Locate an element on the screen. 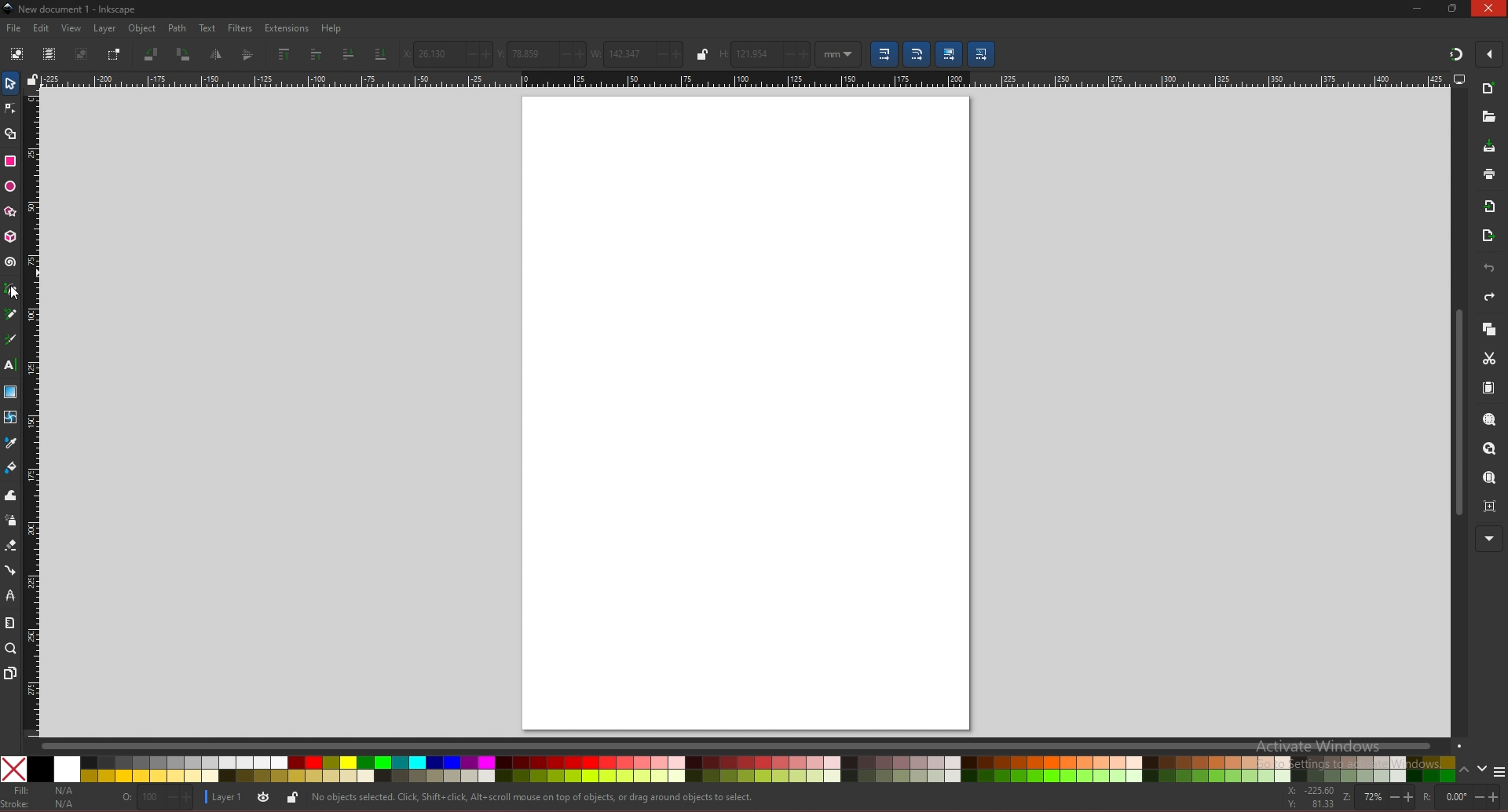 The width and height of the screenshot is (1508, 812). raise selection to top is located at coordinates (286, 53).